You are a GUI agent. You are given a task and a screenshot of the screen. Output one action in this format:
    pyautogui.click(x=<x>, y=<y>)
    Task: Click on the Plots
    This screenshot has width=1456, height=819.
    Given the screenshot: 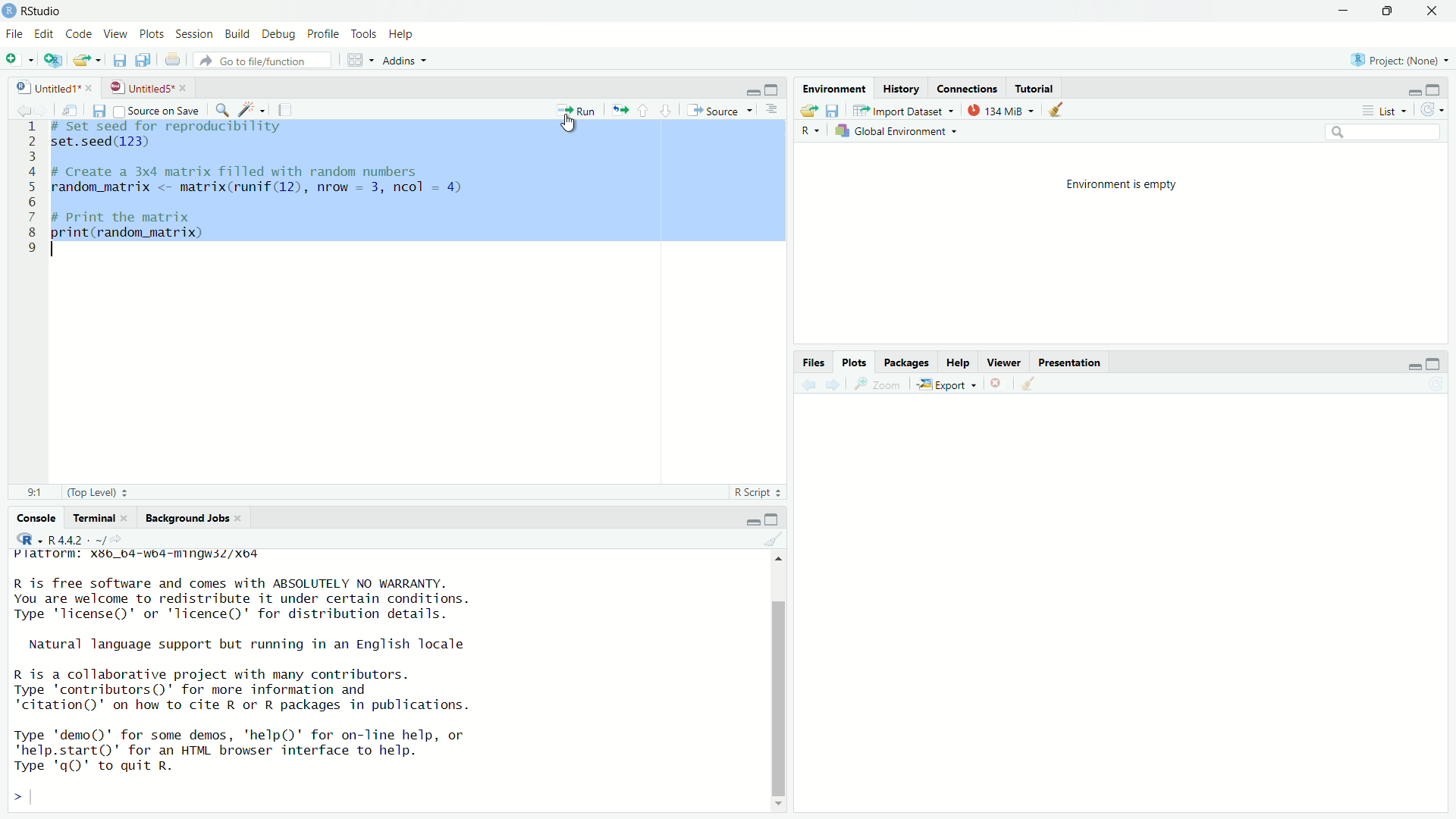 What is the action you would take?
    pyautogui.click(x=857, y=365)
    